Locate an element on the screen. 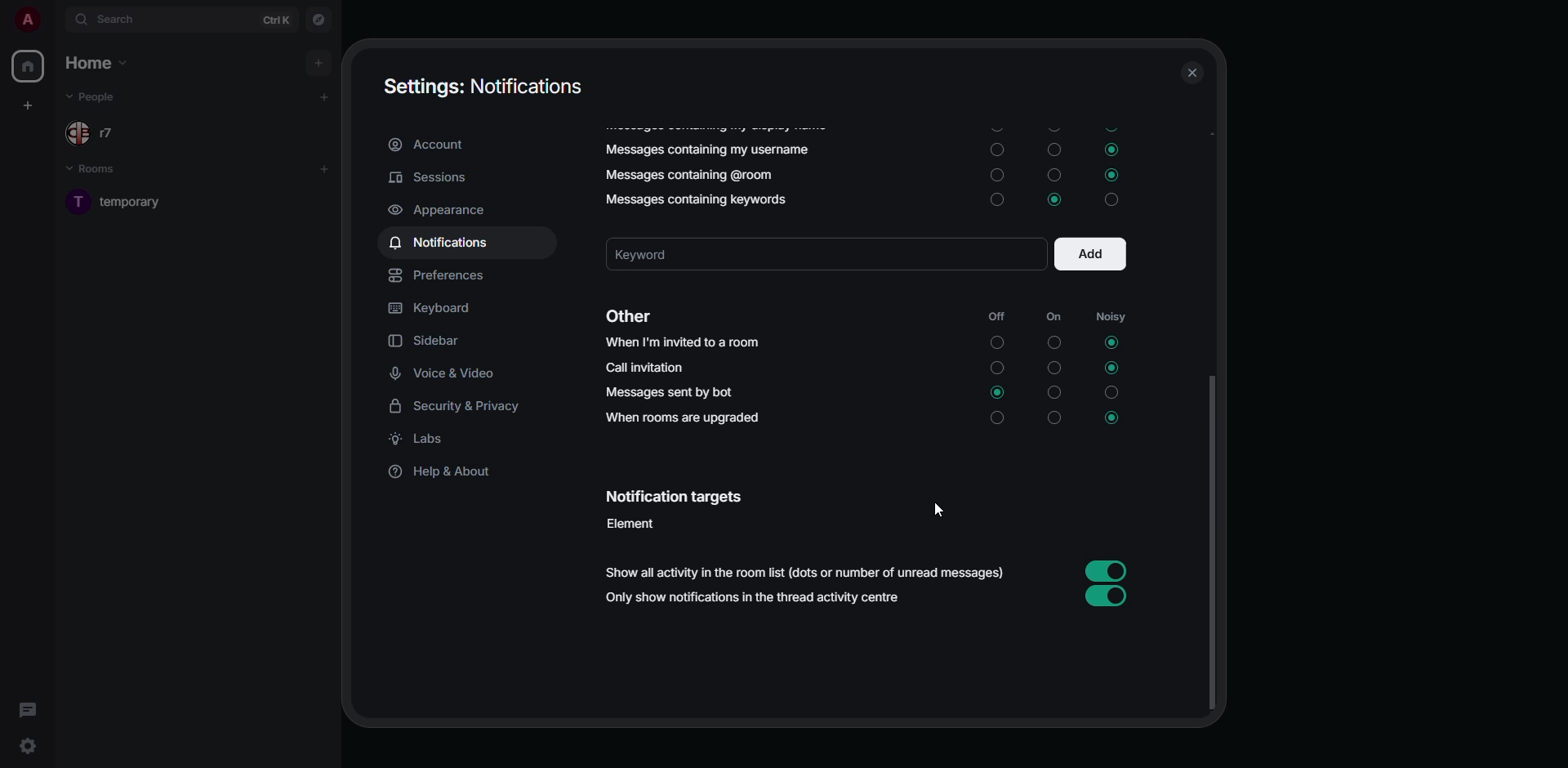 Image resolution: width=1568 pixels, height=768 pixels. only show notifications in the thread activity centre is located at coordinates (760, 599).